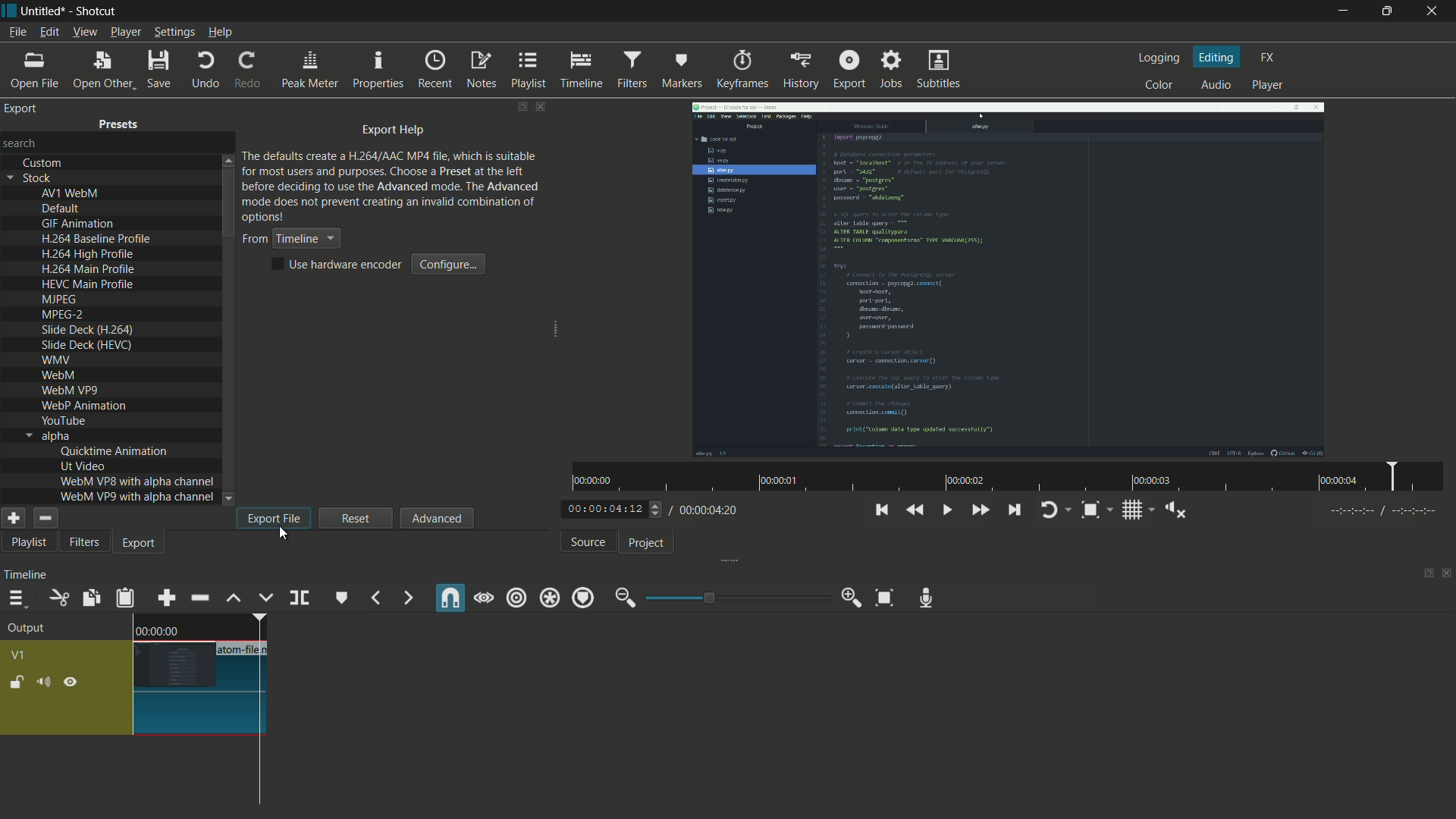  I want to click on player menu, so click(124, 32).